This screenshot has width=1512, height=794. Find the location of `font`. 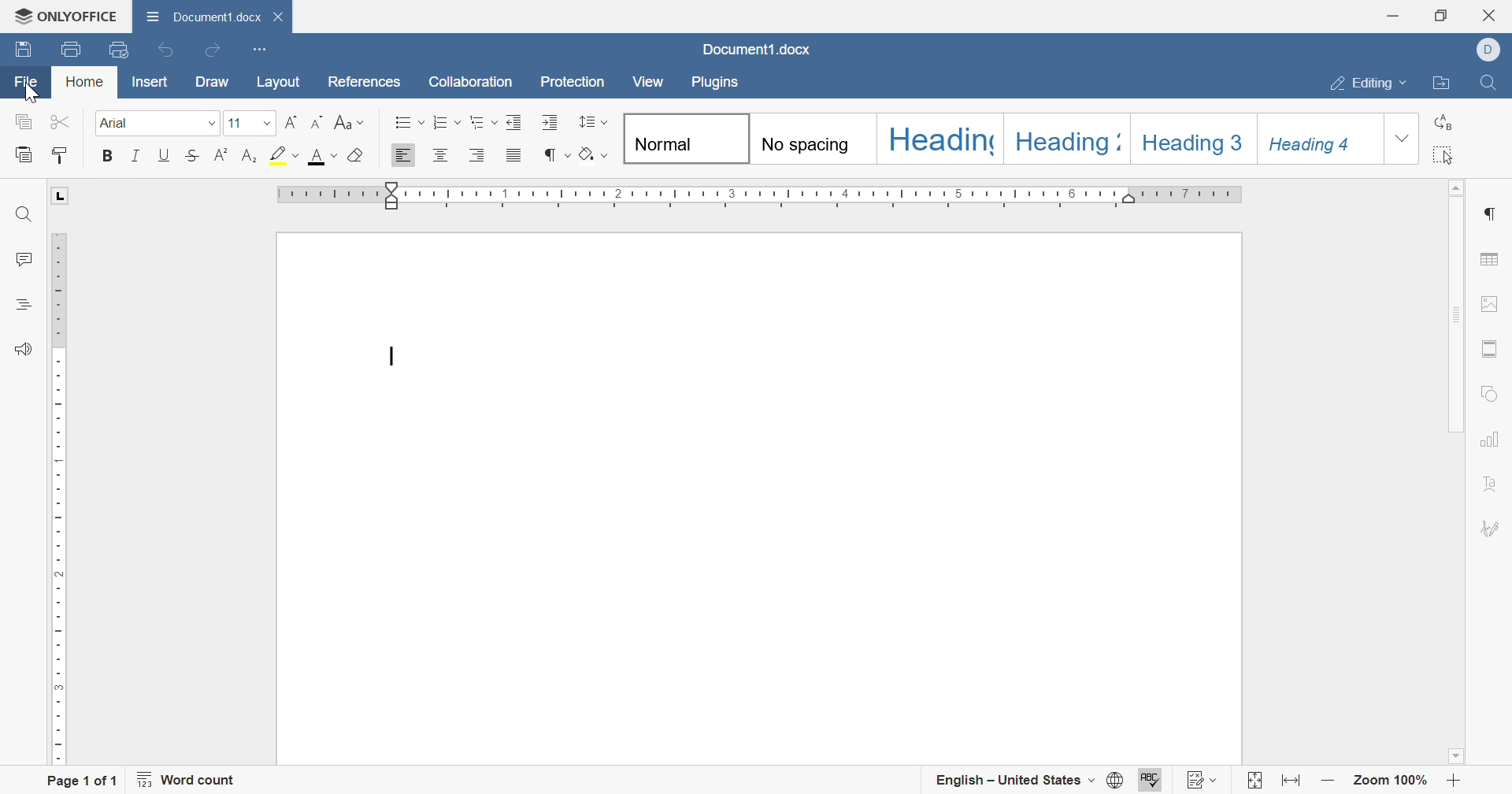

font is located at coordinates (324, 156).